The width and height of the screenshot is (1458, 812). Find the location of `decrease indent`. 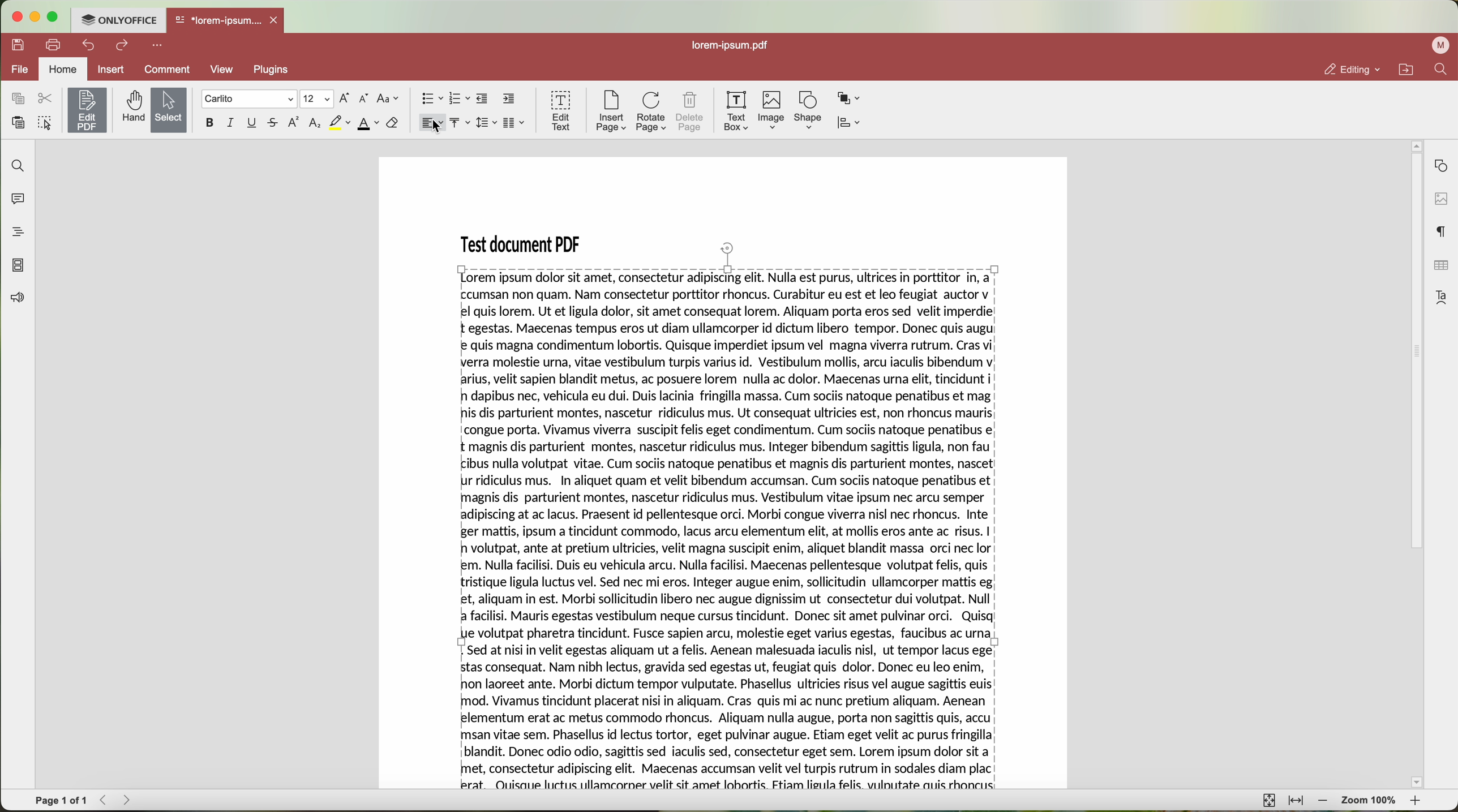

decrease indent is located at coordinates (482, 98).